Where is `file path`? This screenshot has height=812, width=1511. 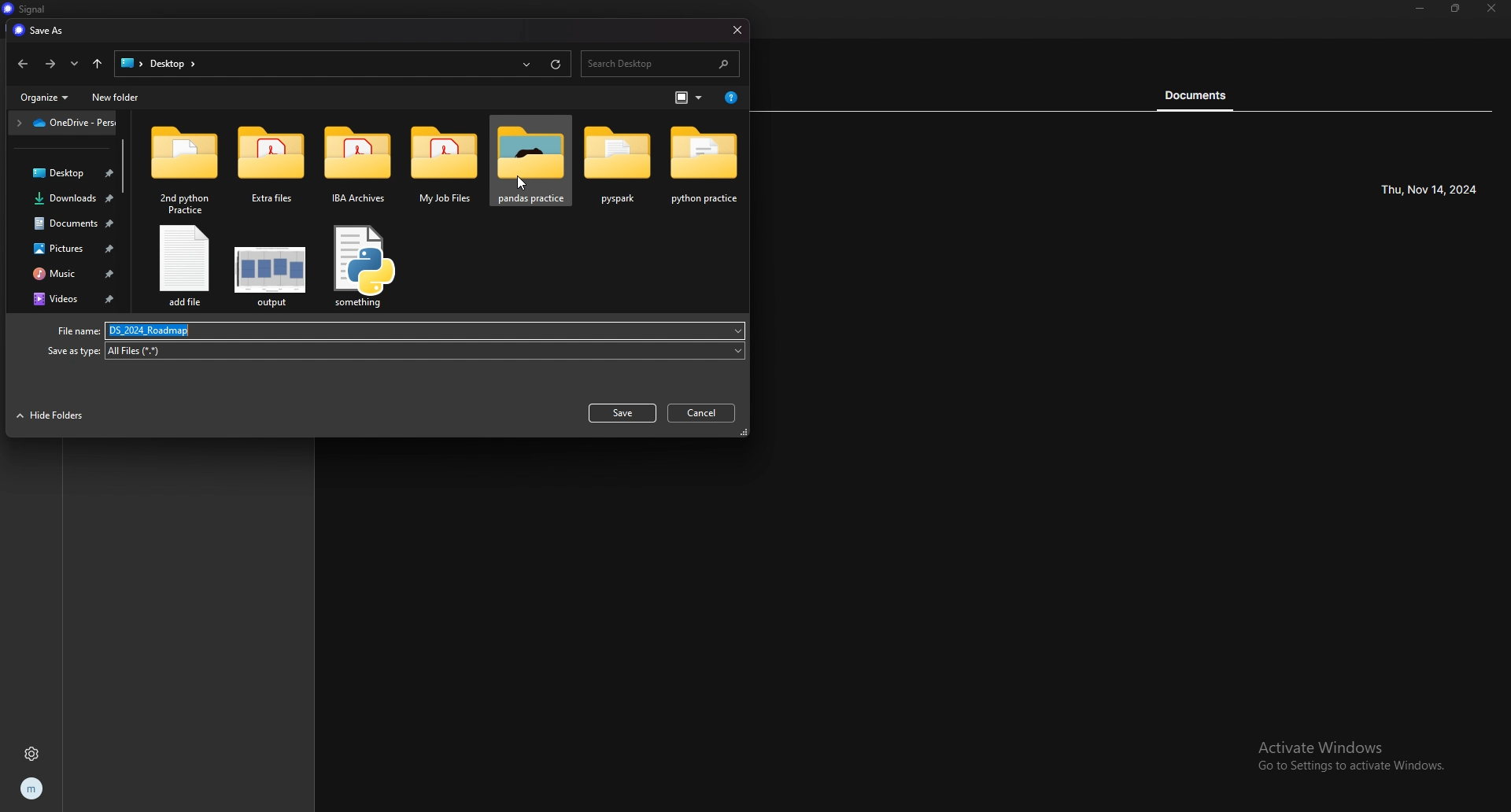 file path is located at coordinates (160, 63).